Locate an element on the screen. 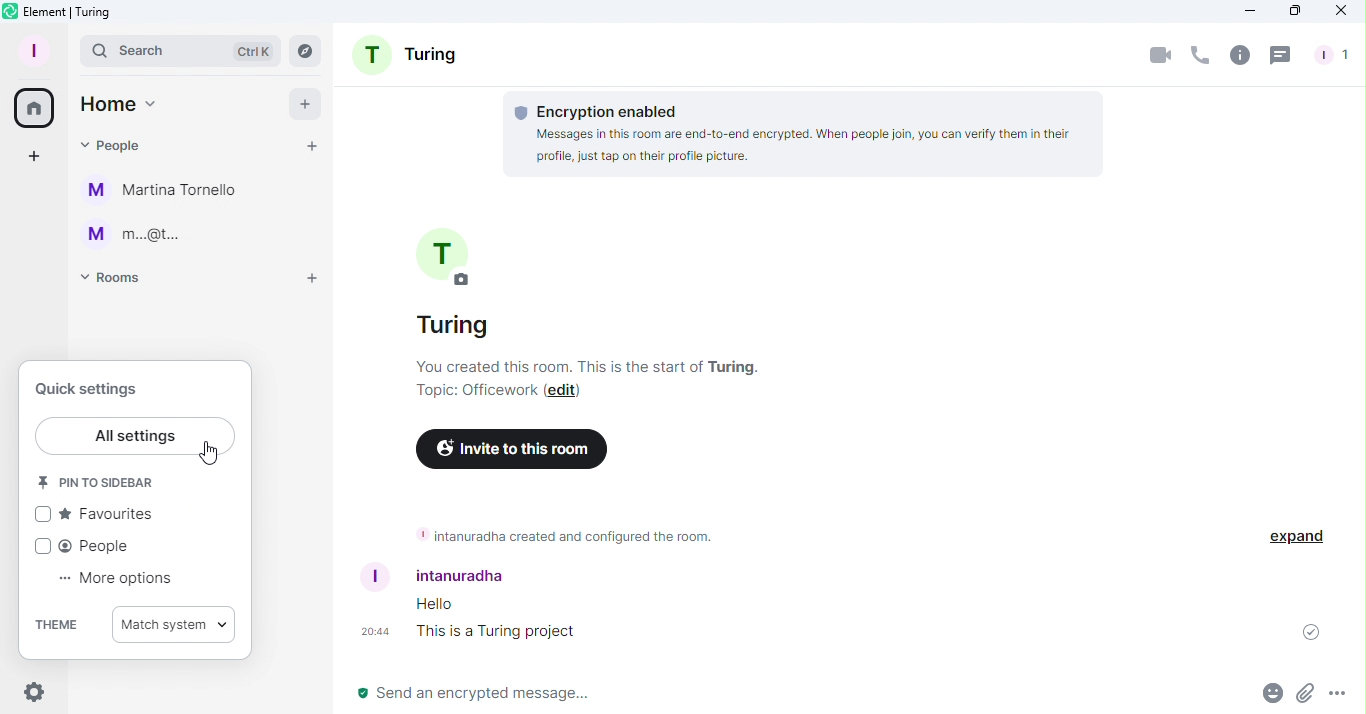  Settings is located at coordinates (39, 690).